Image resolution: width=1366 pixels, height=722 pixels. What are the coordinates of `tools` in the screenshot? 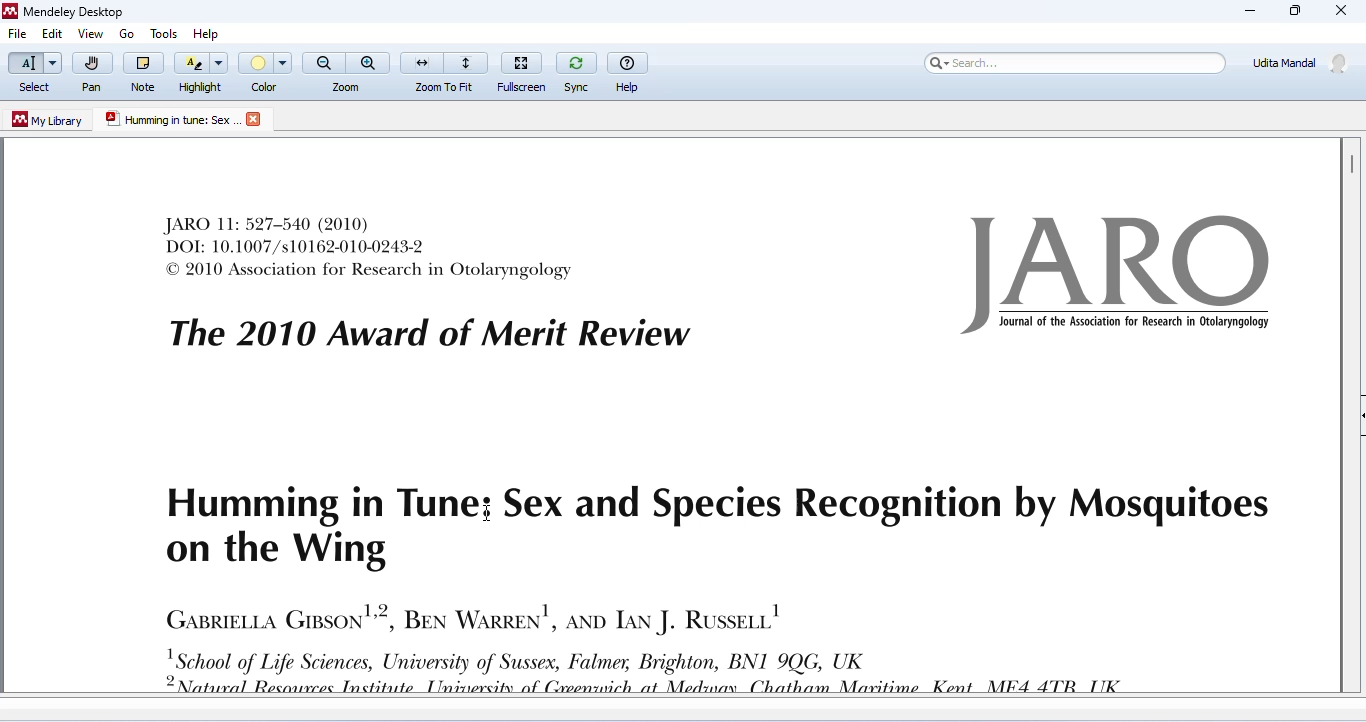 It's located at (161, 30).